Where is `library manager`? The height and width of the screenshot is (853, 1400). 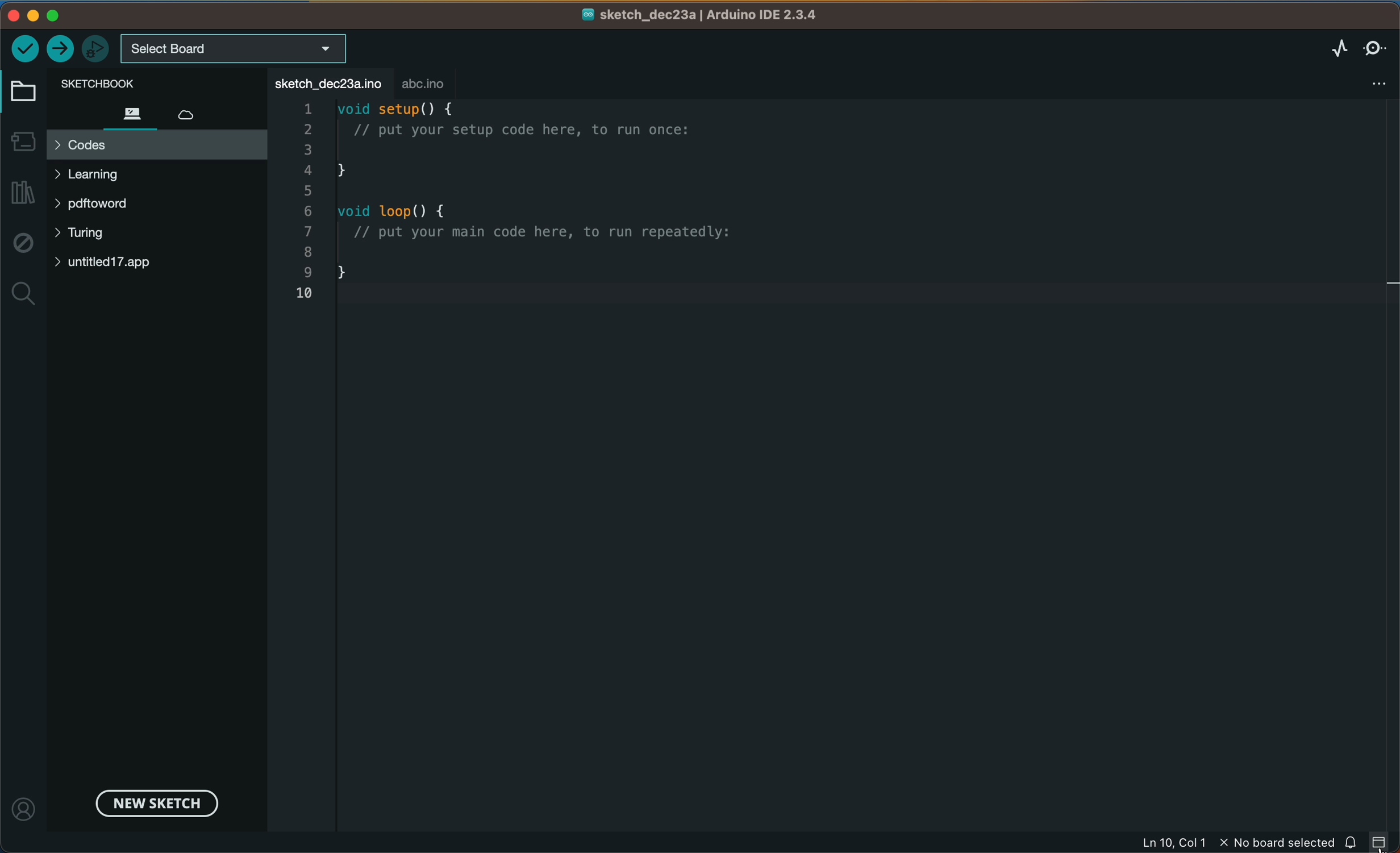 library manager is located at coordinates (22, 192).